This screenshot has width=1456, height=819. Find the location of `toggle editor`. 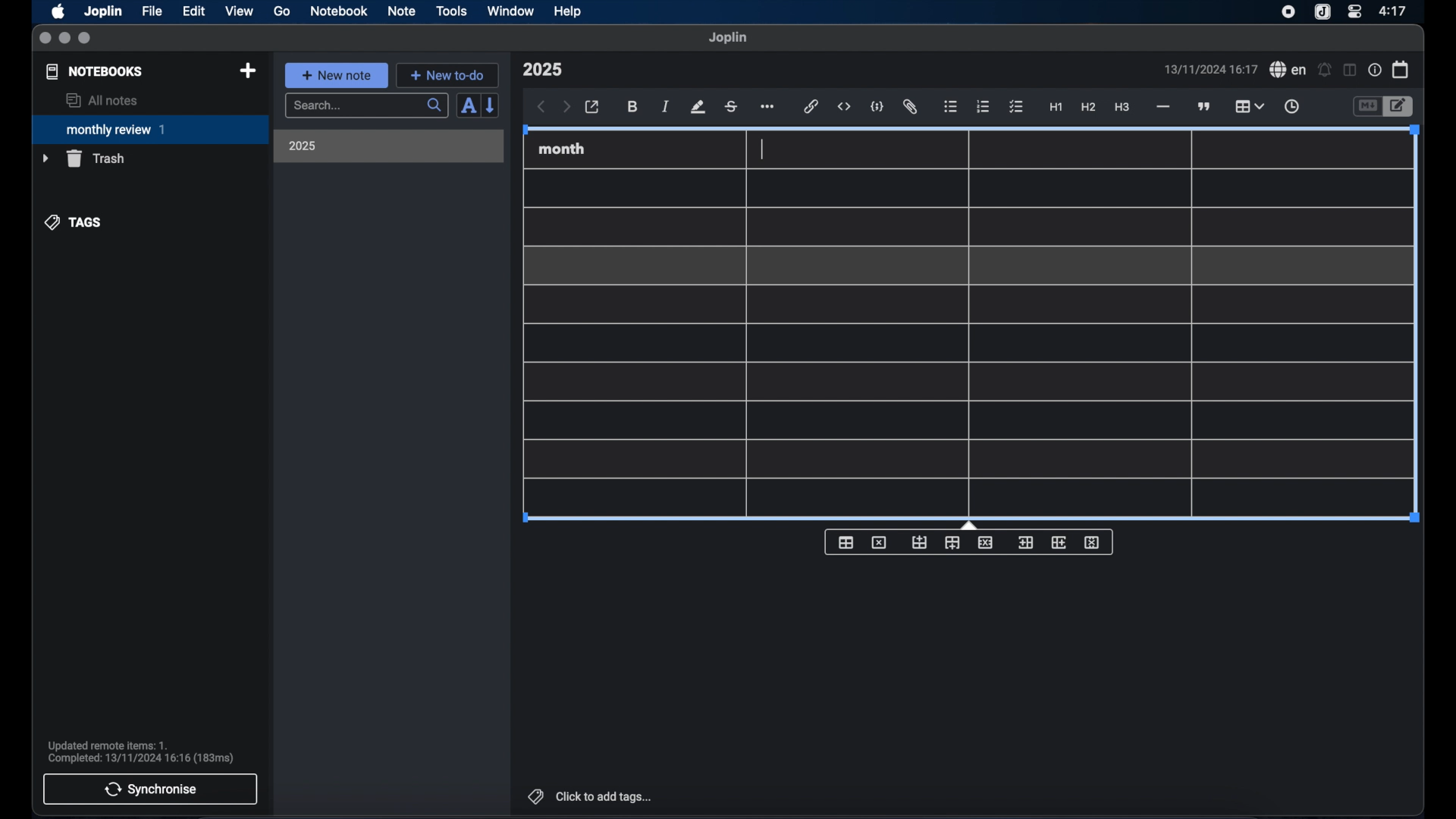

toggle editor is located at coordinates (1401, 107).